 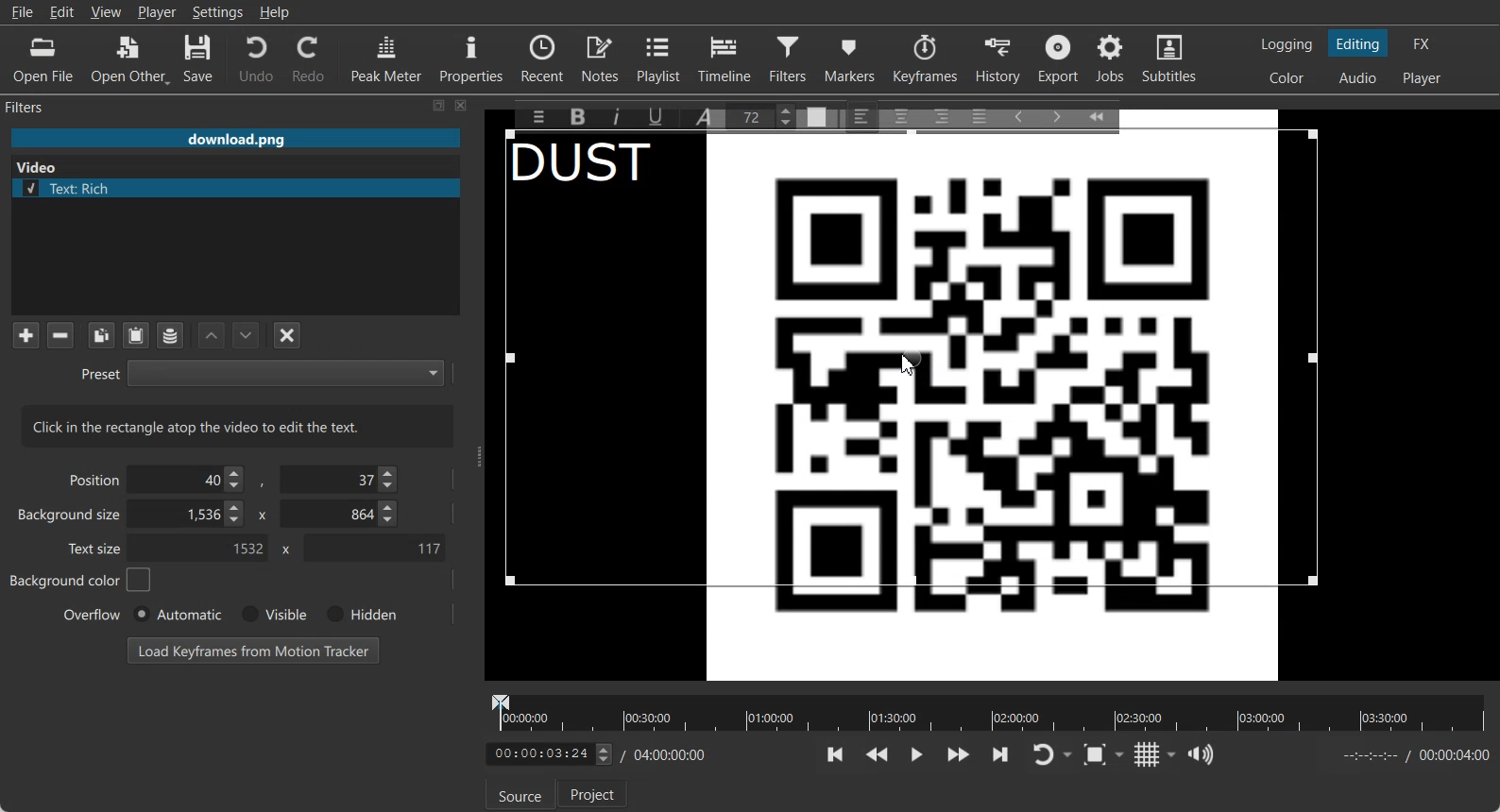 What do you see at coordinates (903, 115) in the screenshot?
I see `Center` at bounding box center [903, 115].